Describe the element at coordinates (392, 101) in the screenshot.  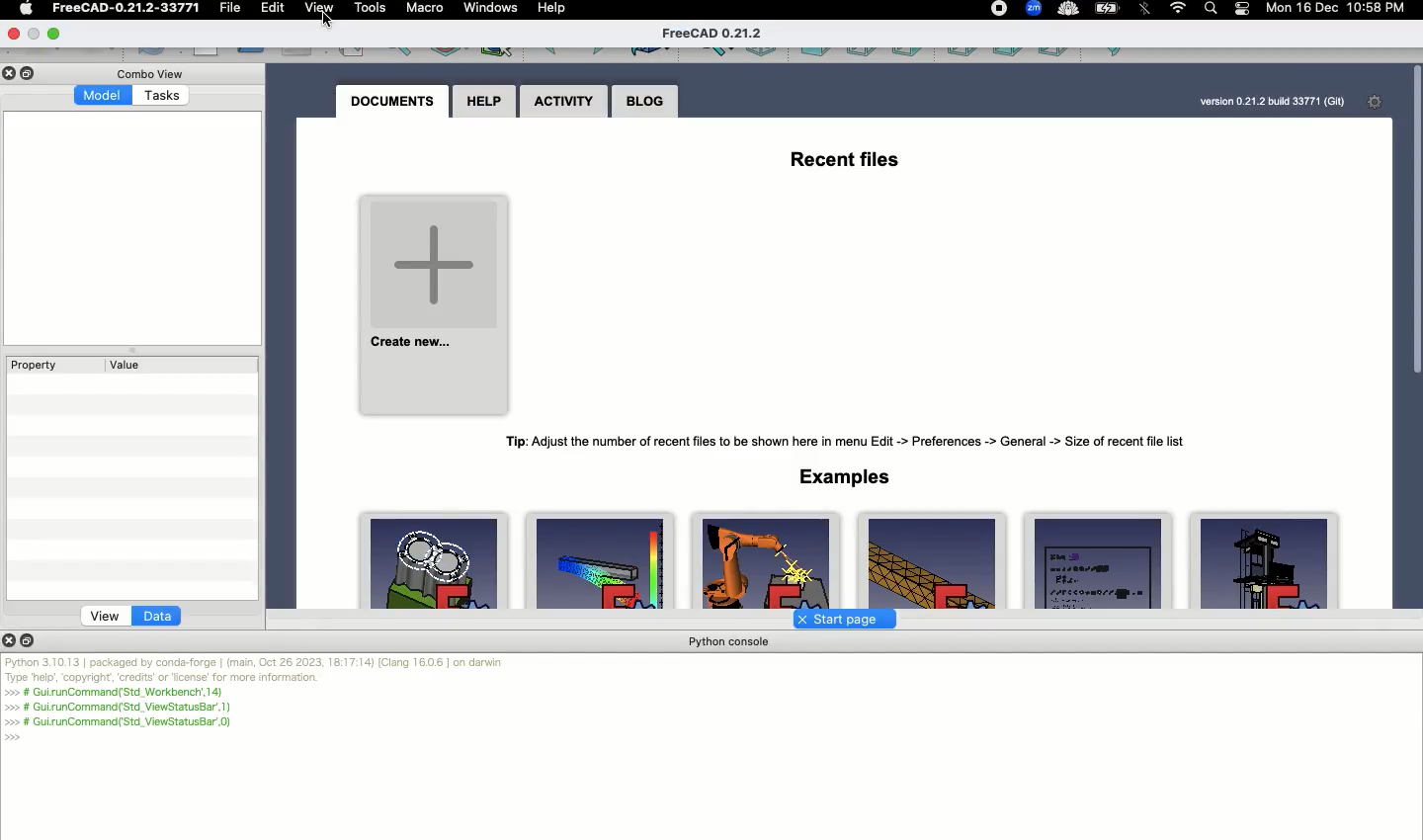
I see `Documents` at that location.